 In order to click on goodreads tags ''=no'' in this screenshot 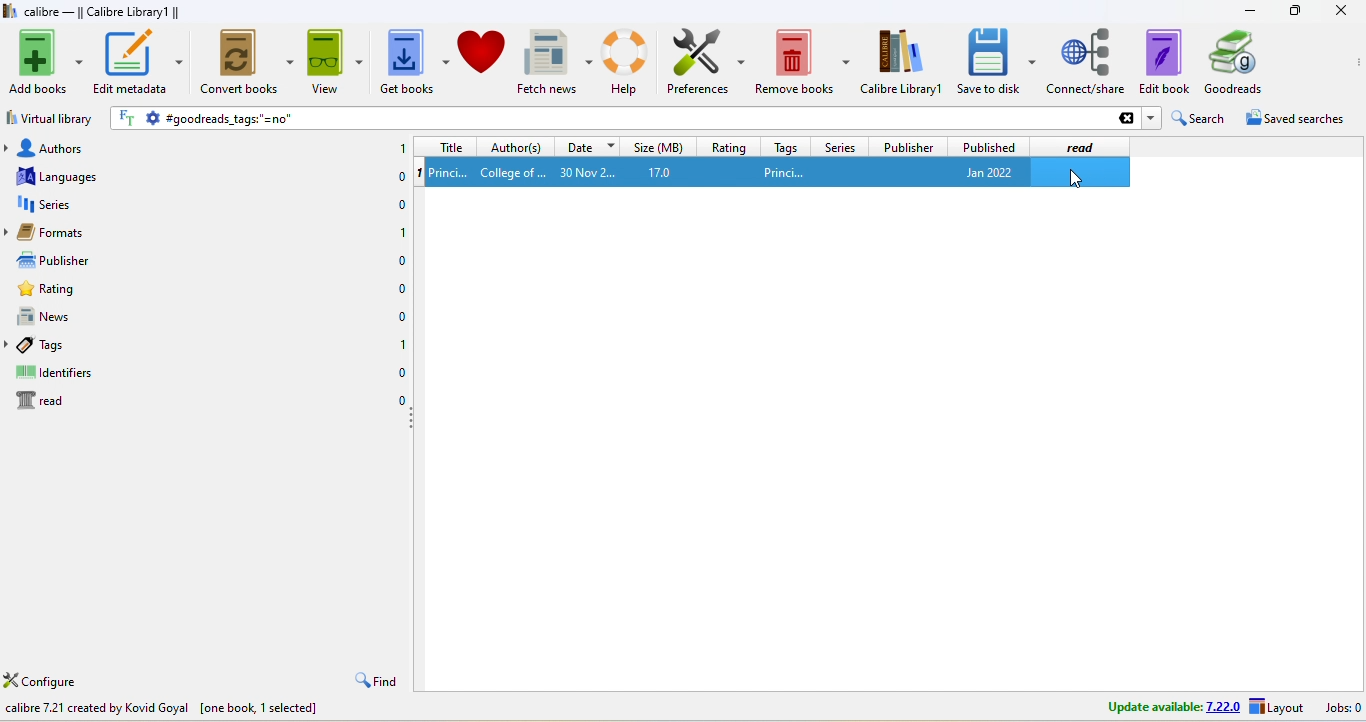, I will do `click(652, 118)`.